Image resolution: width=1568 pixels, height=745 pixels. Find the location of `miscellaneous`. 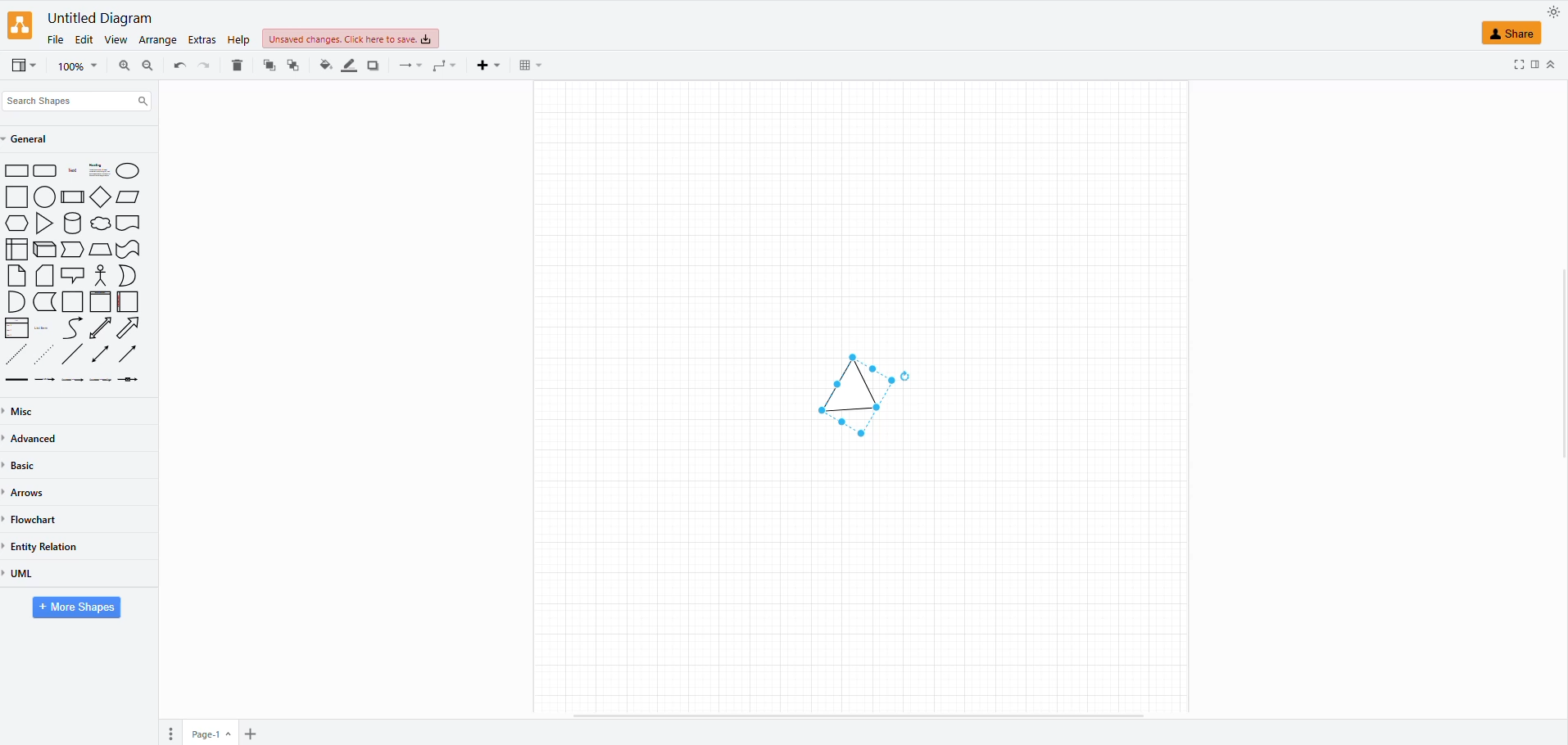

miscellaneous is located at coordinates (27, 409).